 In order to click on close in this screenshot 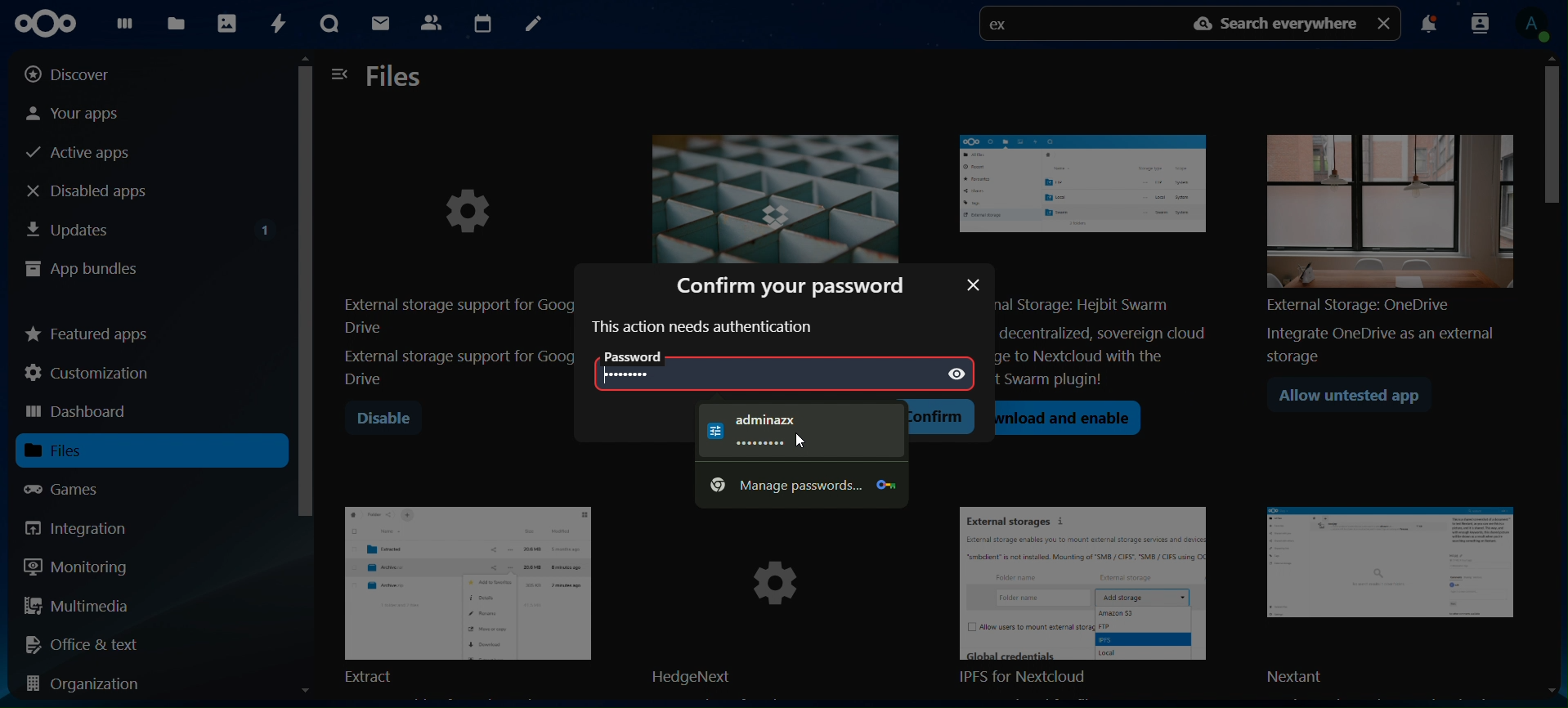, I will do `click(974, 285)`.